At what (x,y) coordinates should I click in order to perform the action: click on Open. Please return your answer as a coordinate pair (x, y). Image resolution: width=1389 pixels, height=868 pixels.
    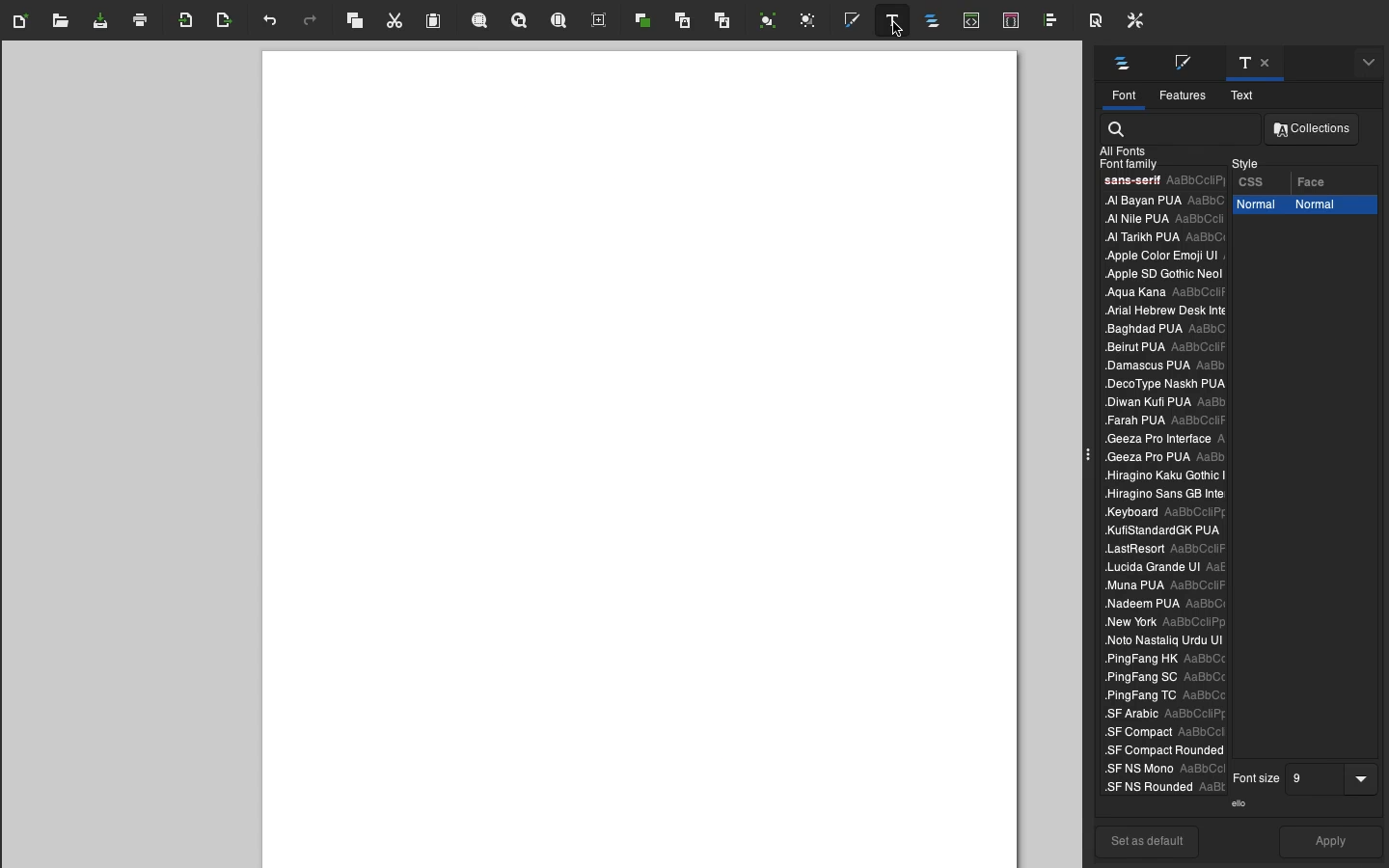
    Looking at the image, I should click on (62, 25).